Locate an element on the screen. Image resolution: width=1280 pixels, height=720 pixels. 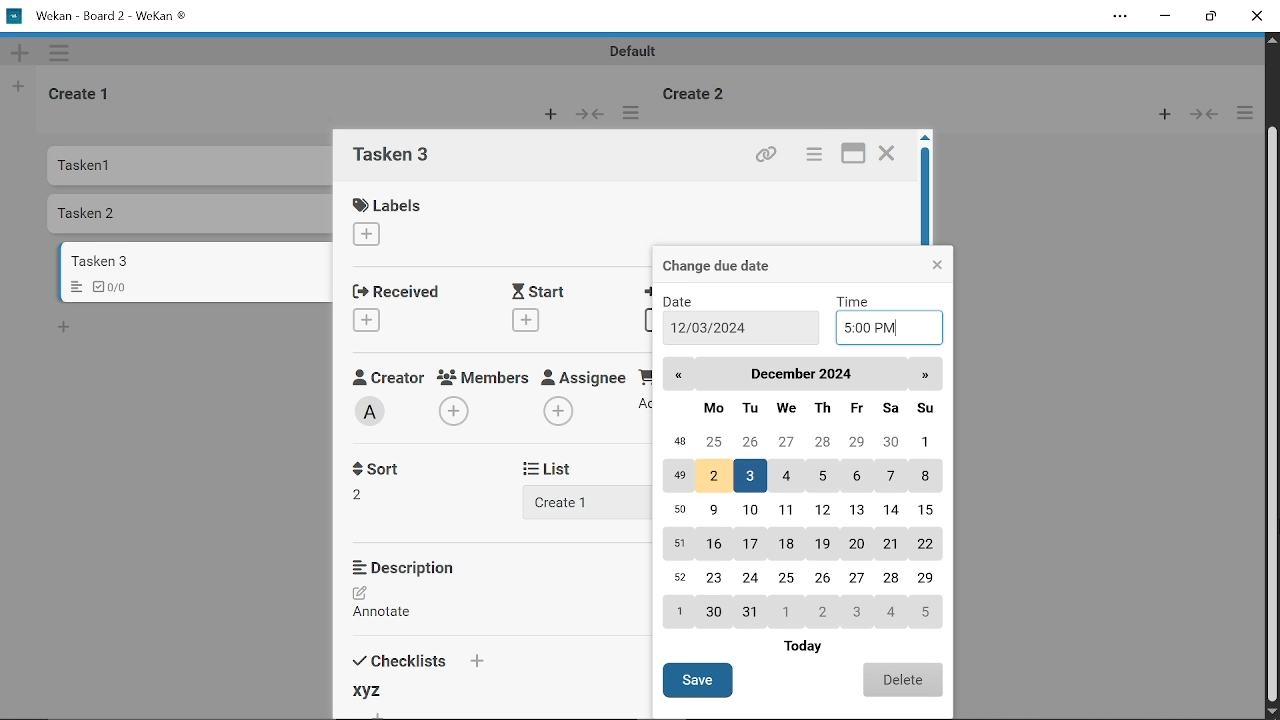
Sort is located at coordinates (382, 467).